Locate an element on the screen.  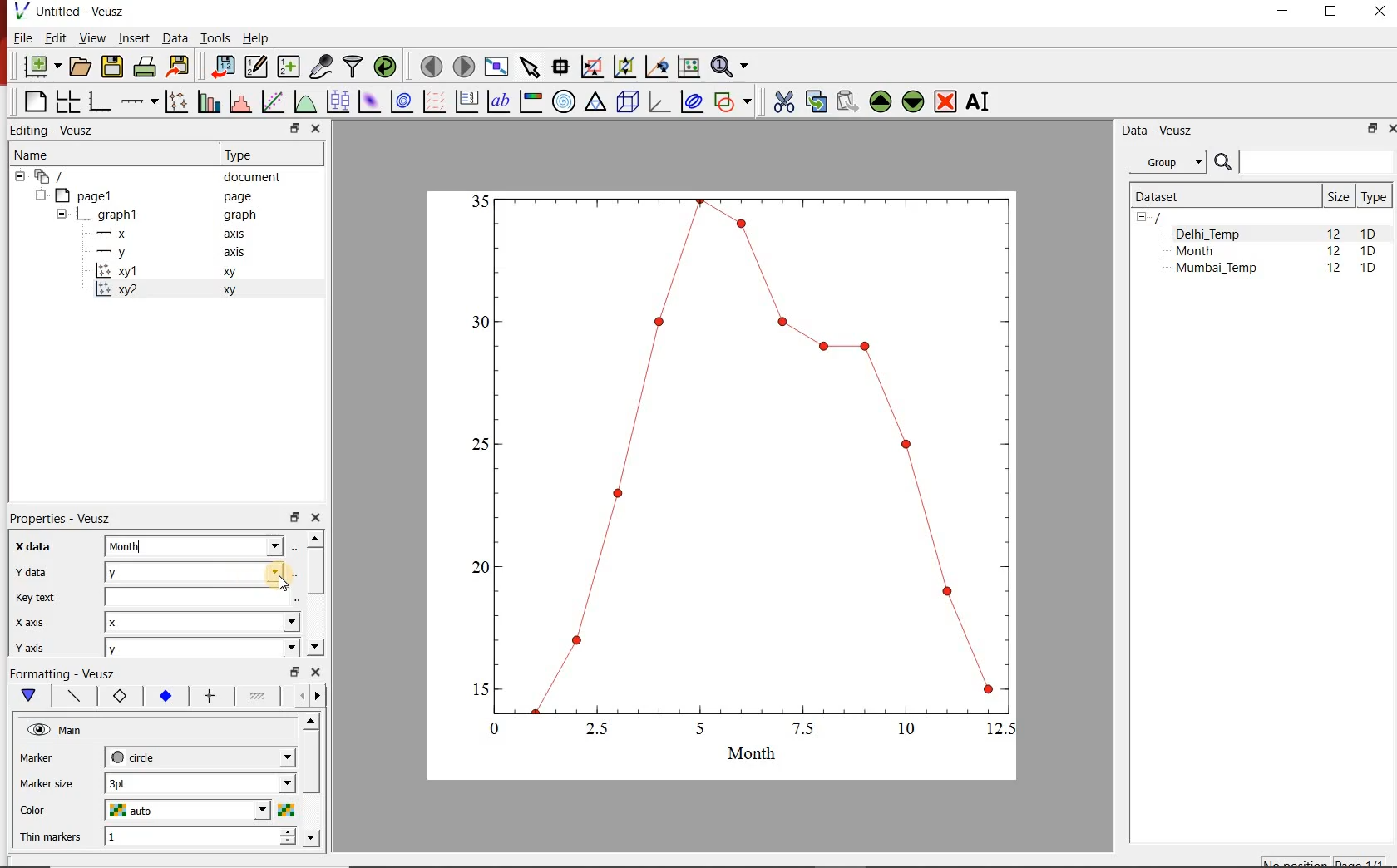
MINIMIZE is located at coordinates (1284, 12).